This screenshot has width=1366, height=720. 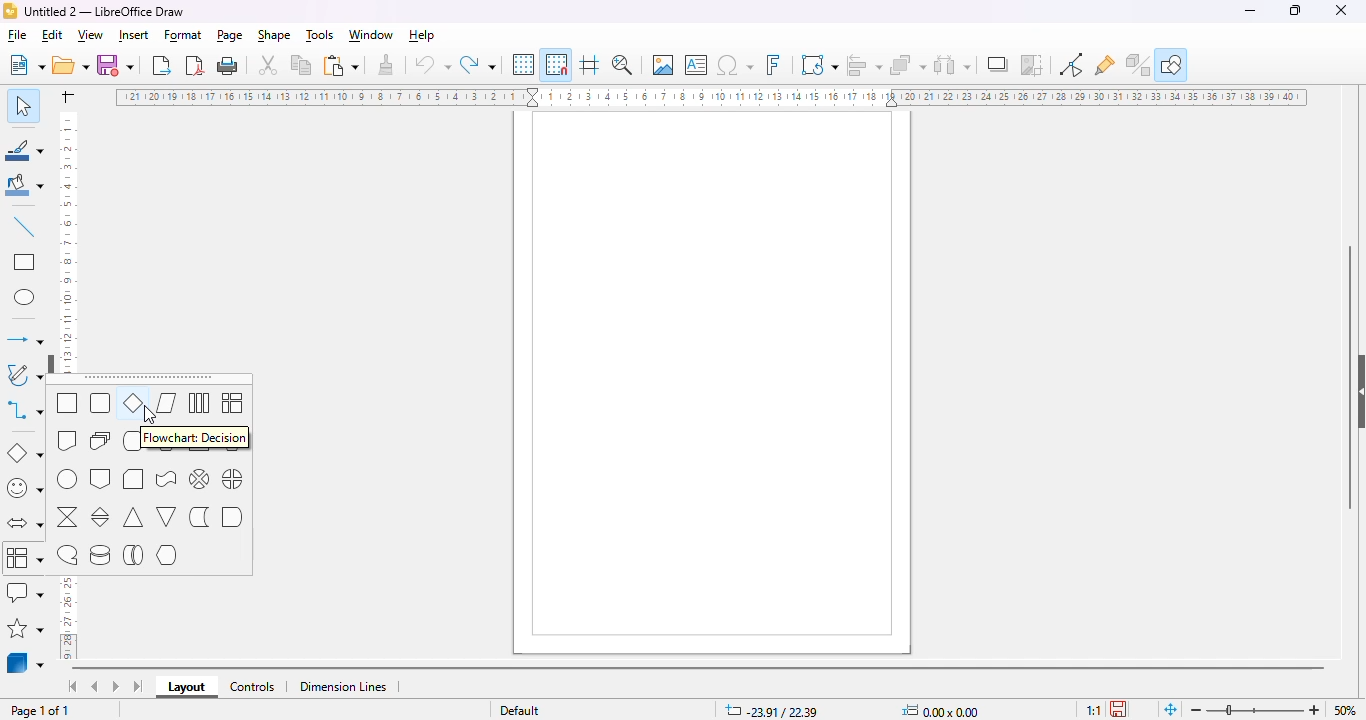 I want to click on fit page to current window, so click(x=1170, y=709).